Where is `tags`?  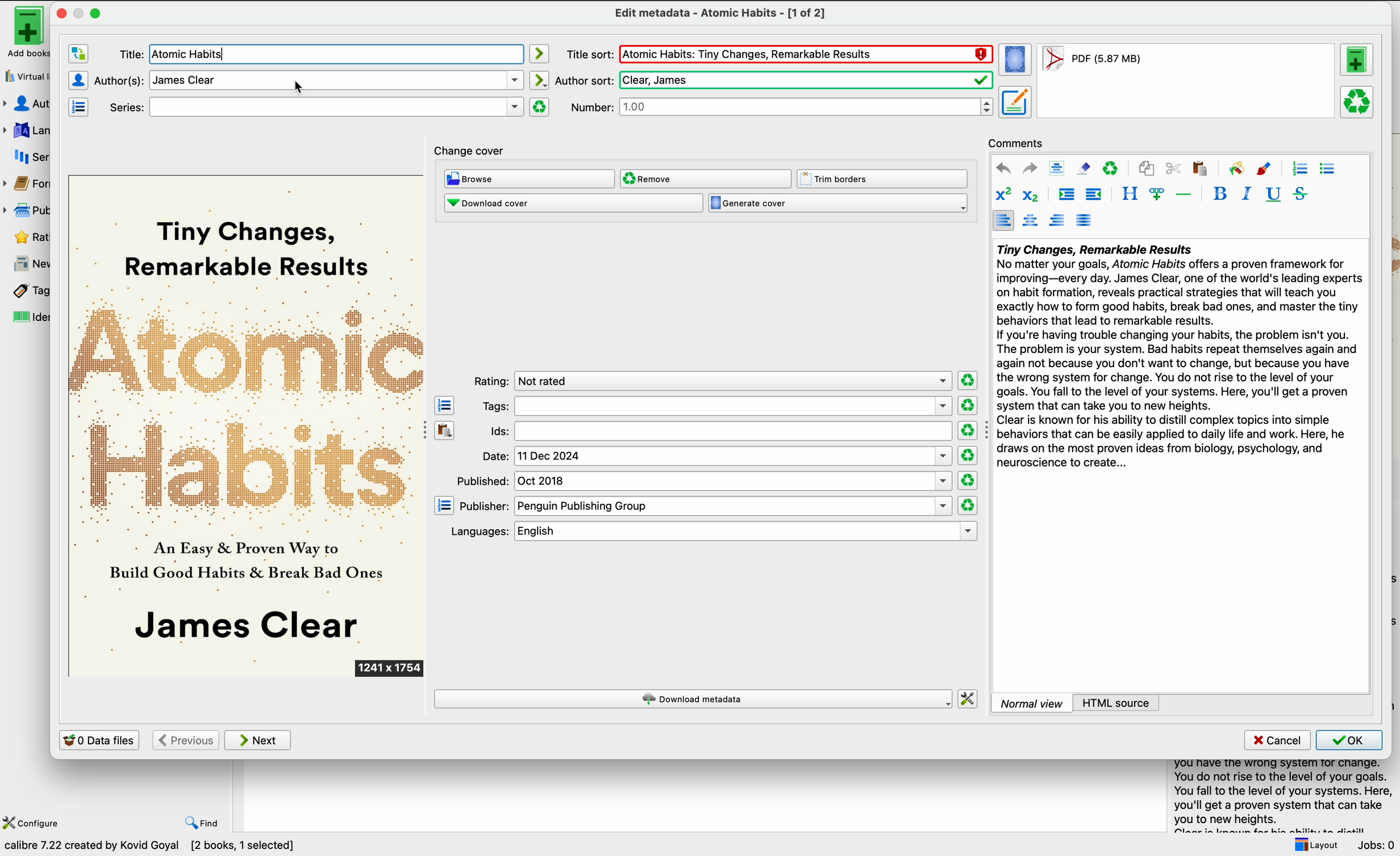
tags is located at coordinates (24, 291).